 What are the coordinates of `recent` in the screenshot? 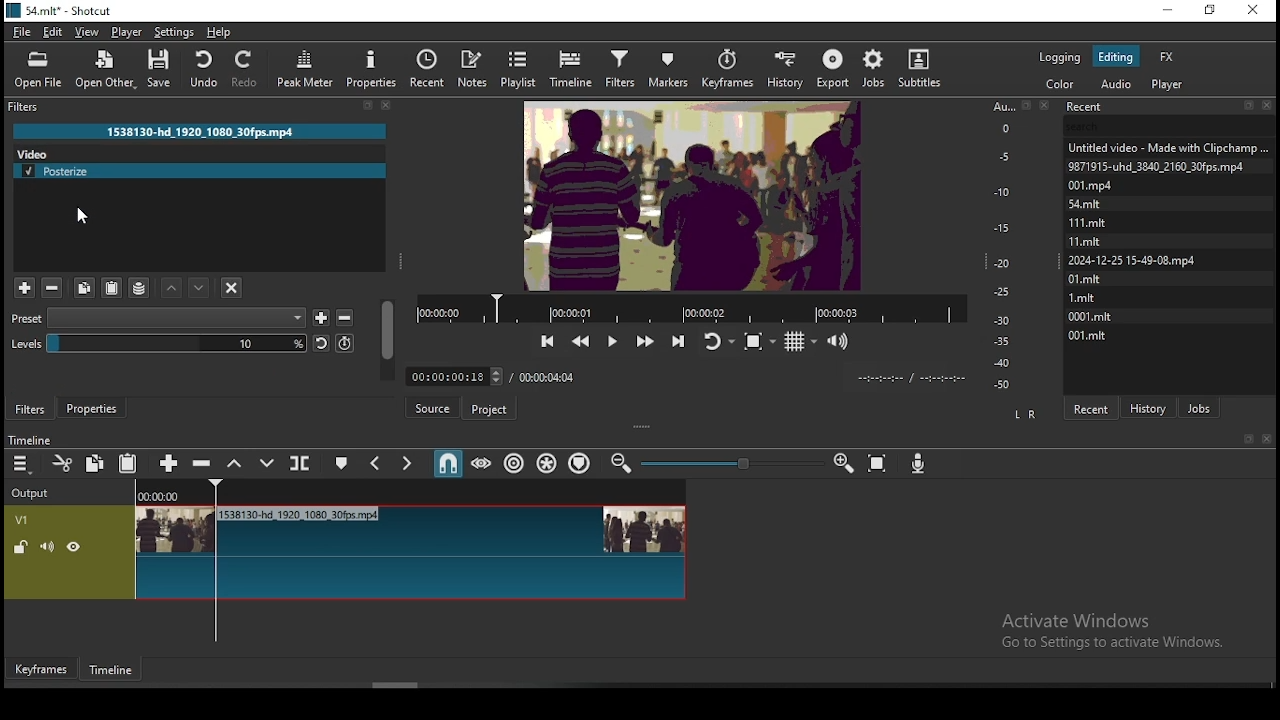 It's located at (430, 68).